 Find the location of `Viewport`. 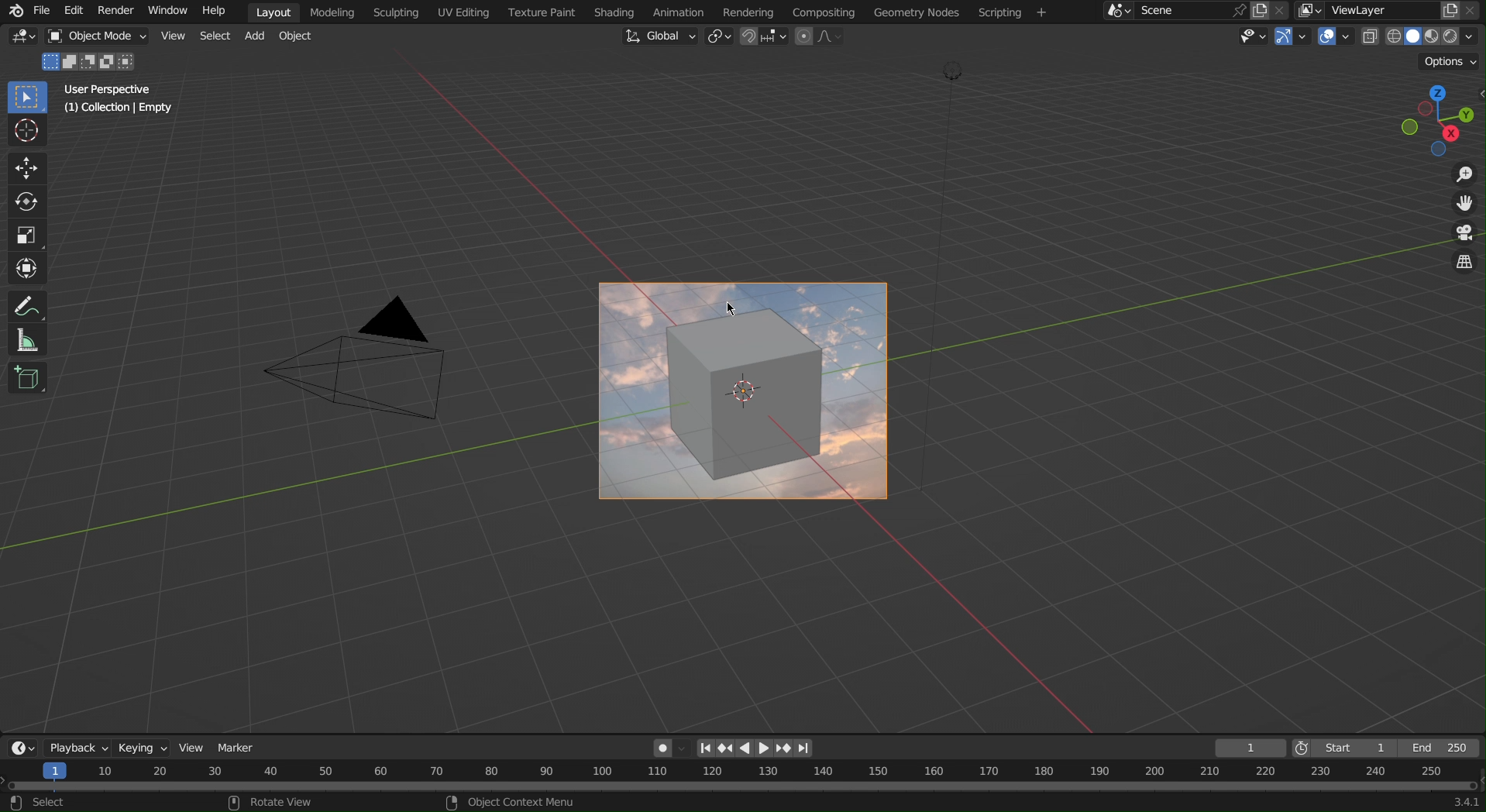

Viewport is located at coordinates (1439, 122).